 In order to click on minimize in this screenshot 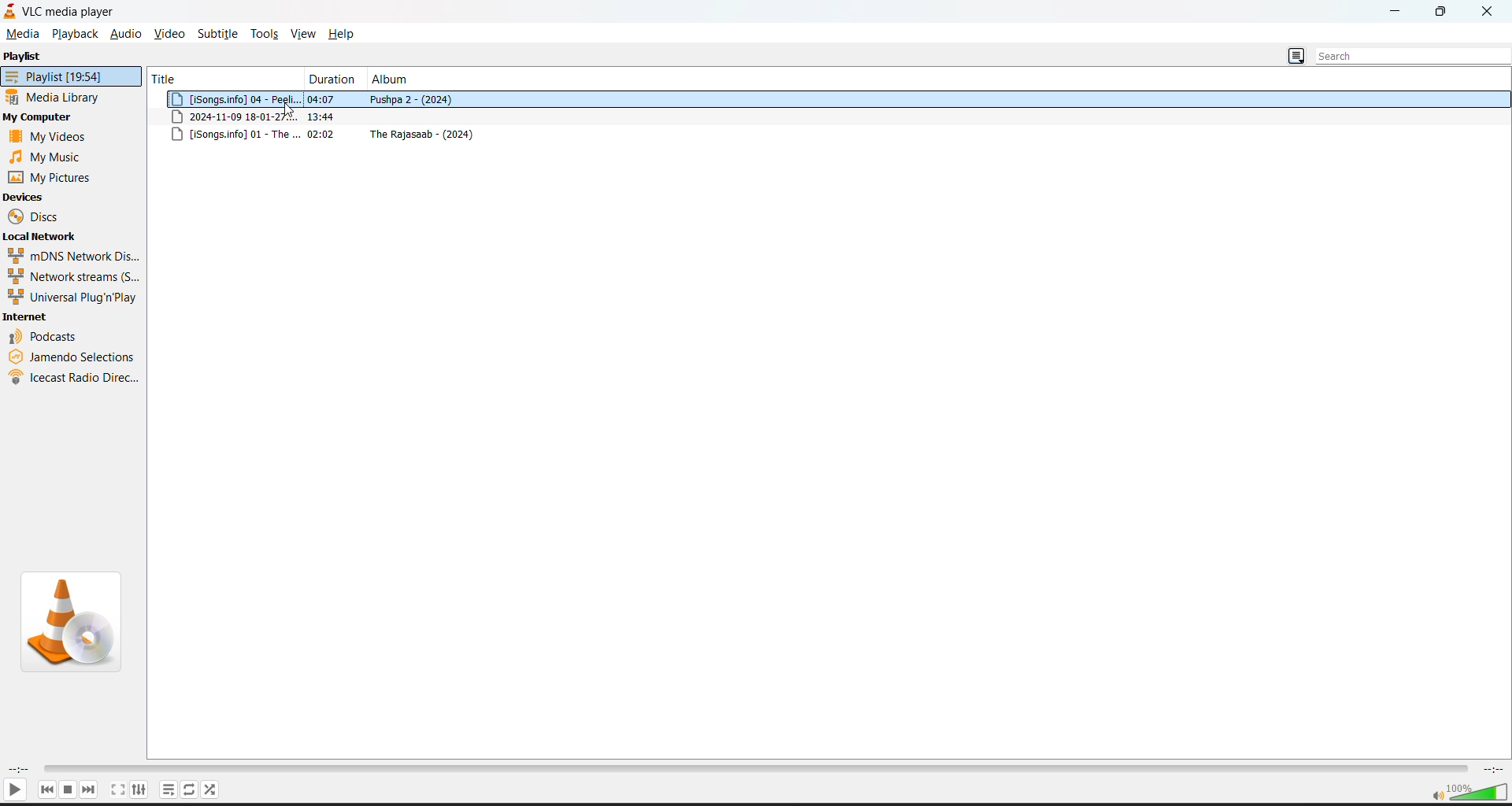, I will do `click(1401, 13)`.